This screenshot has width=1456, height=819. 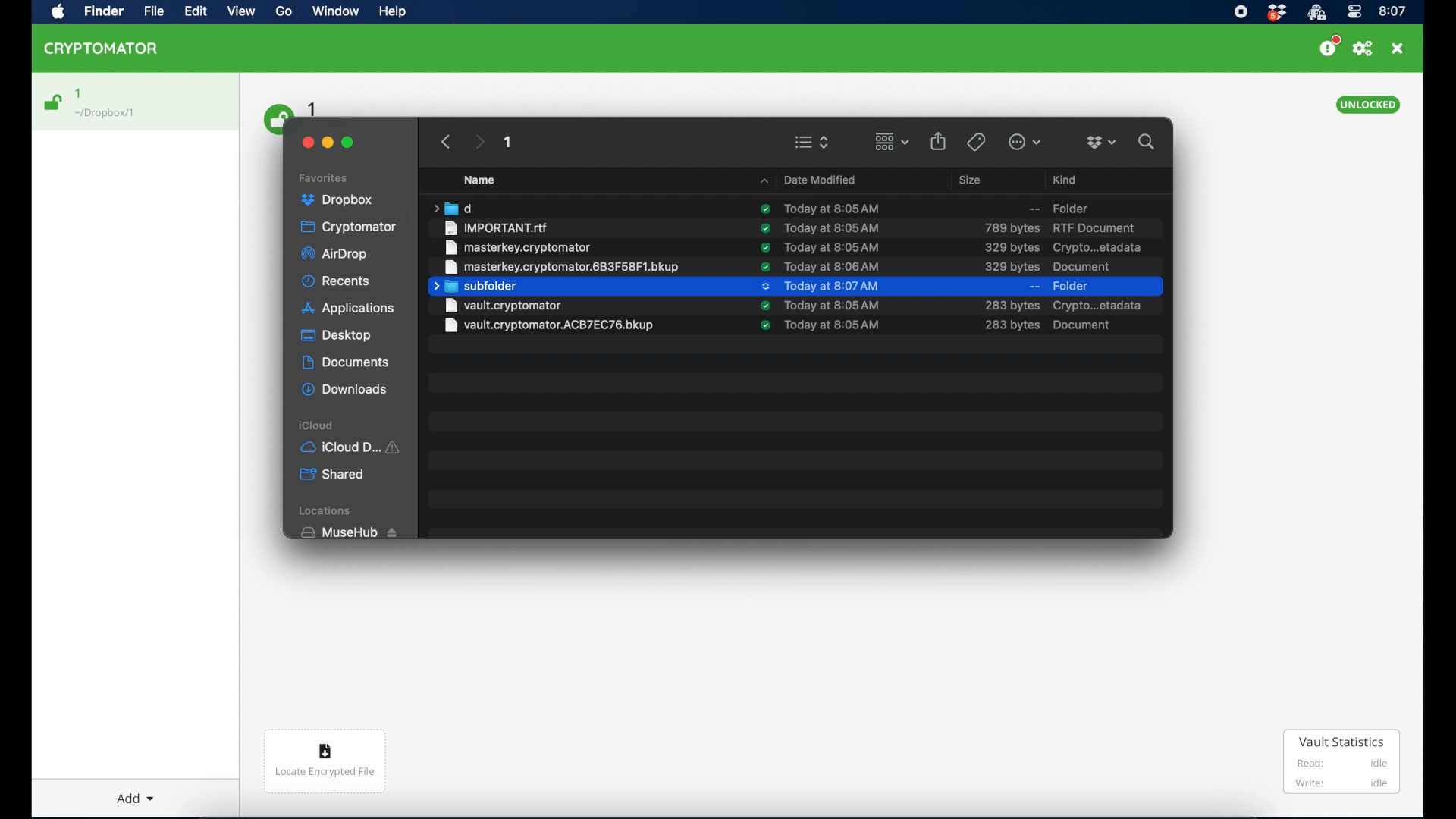 I want to click on control center, so click(x=1354, y=12).